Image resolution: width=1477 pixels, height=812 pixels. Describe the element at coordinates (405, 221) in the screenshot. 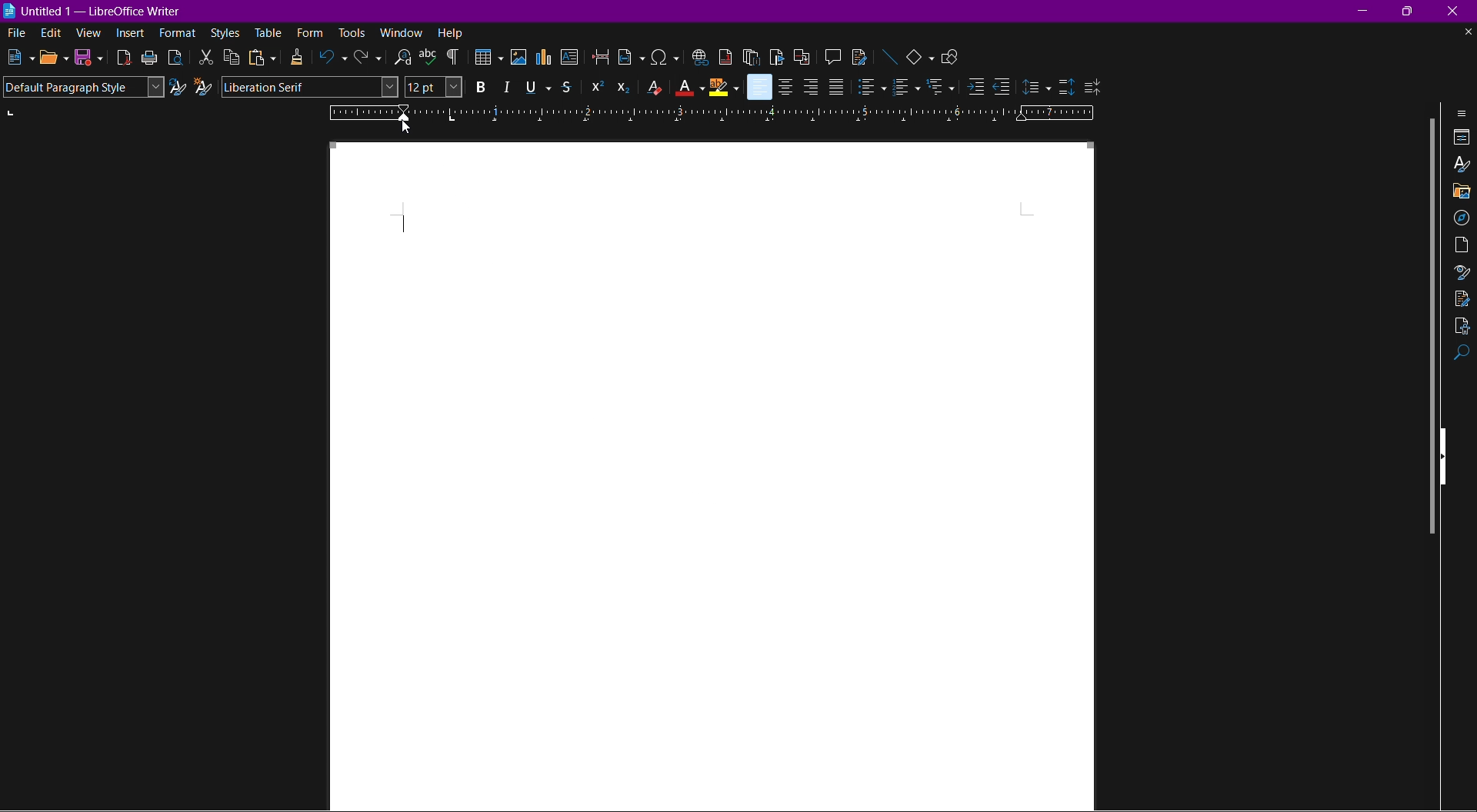

I see `text cursor` at that location.